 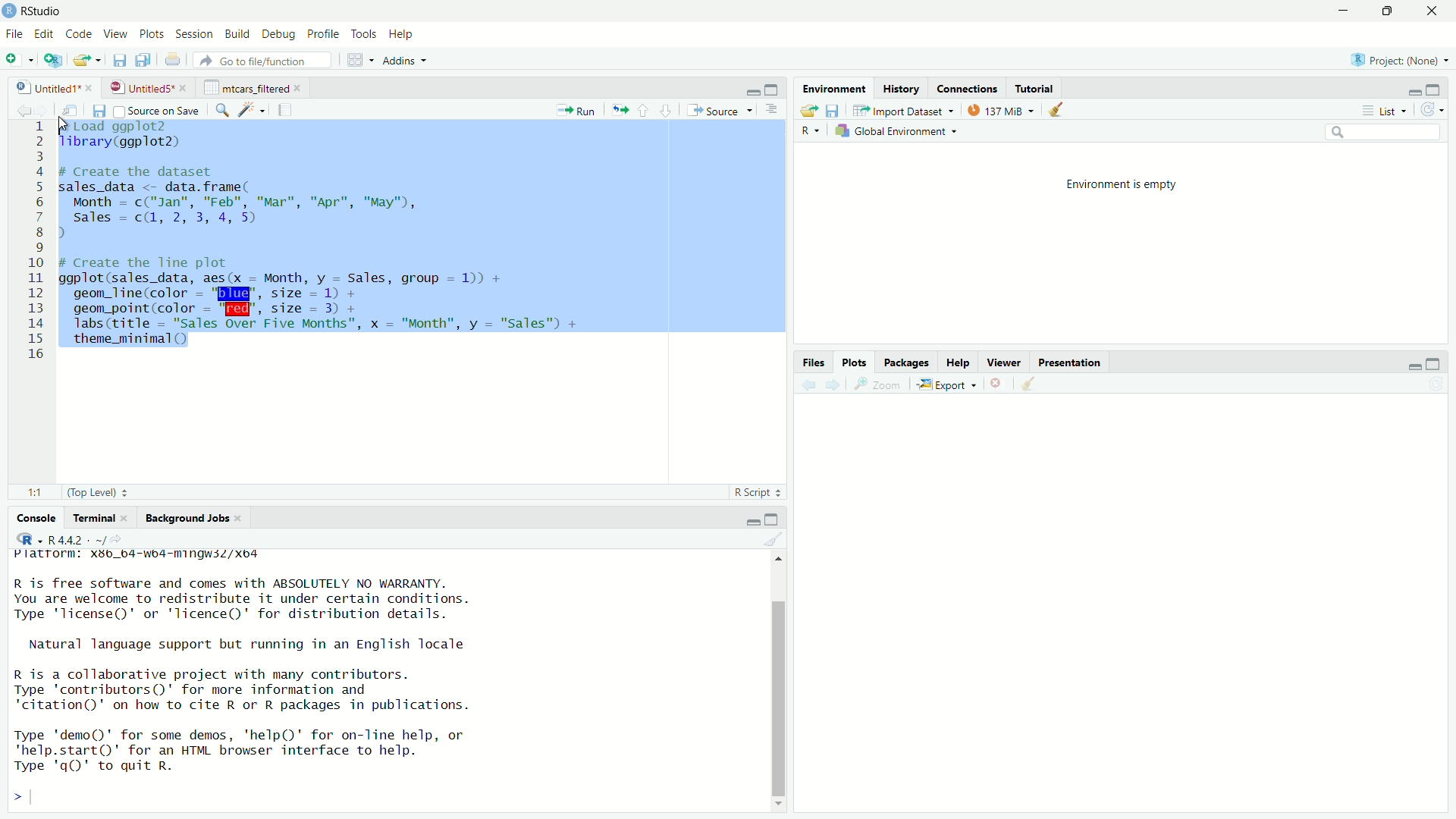 I want to click on open a existing file, so click(x=84, y=61).